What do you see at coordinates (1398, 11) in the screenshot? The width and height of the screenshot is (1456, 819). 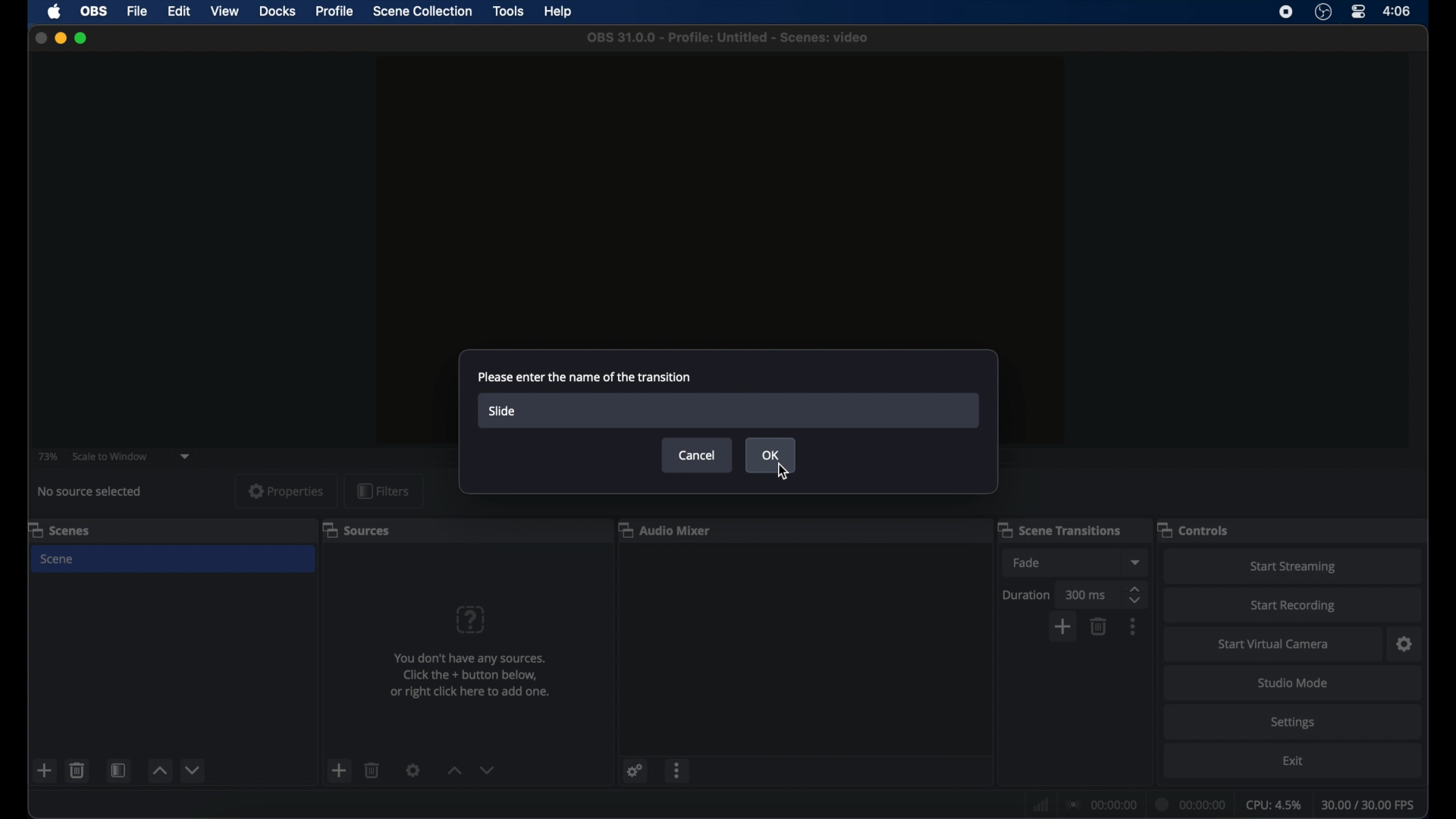 I see `time` at bounding box center [1398, 11].